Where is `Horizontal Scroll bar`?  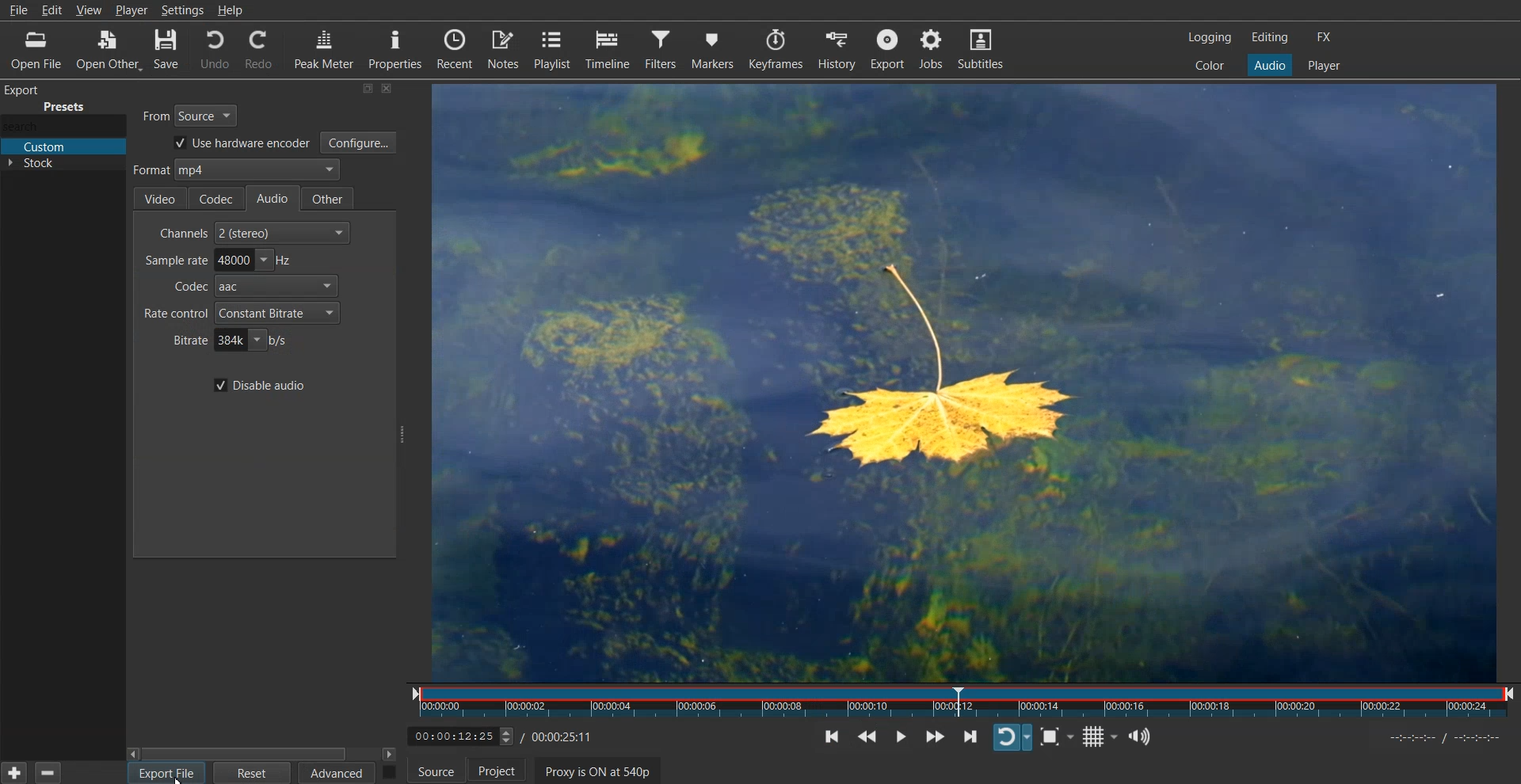 Horizontal Scroll bar is located at coordinates (263, 753).